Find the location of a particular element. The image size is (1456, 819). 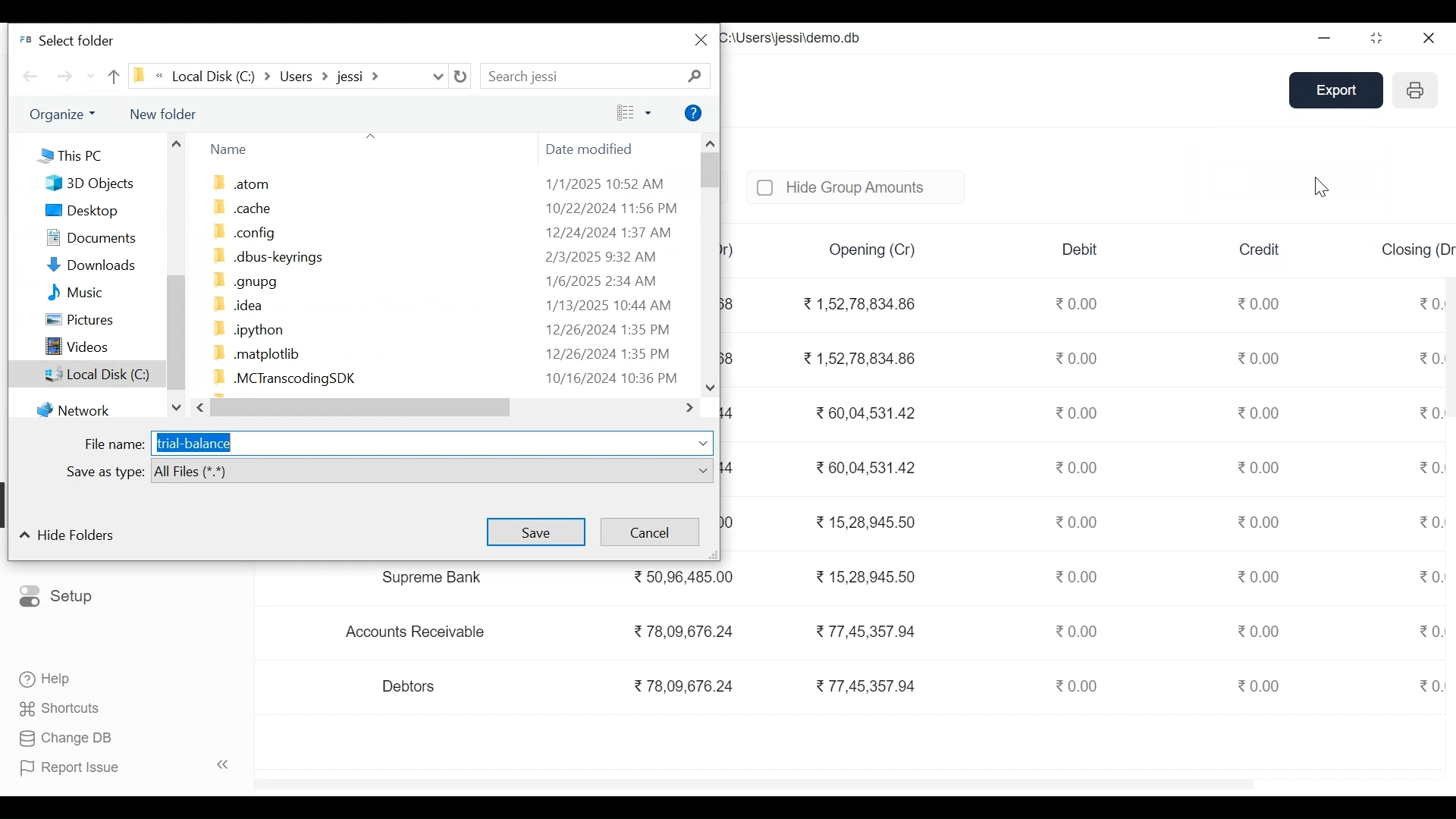

3D Objects is located at coordinates (92, 184).